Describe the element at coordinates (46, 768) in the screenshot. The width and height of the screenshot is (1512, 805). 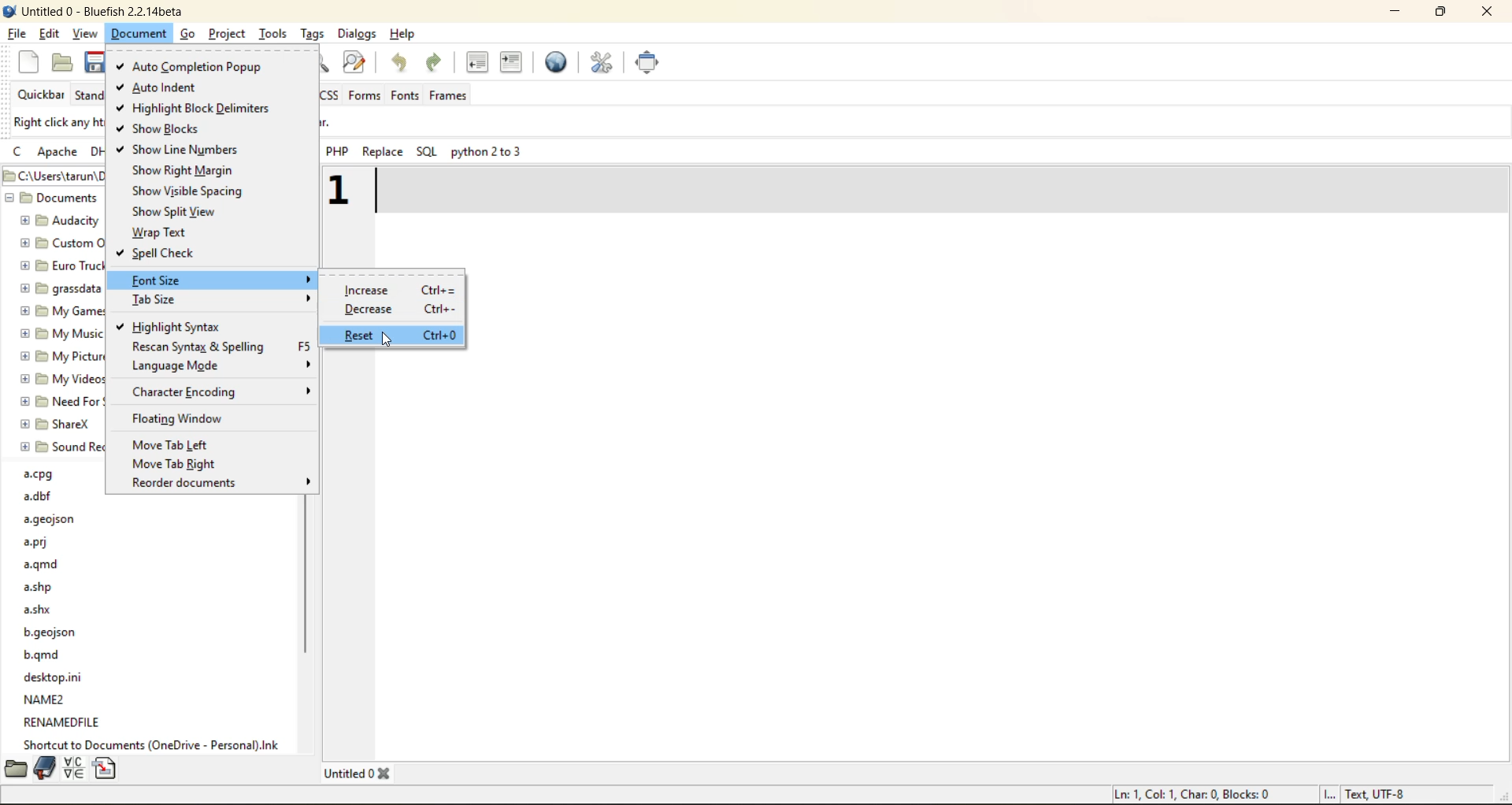
I see `bookmarks` at that location.